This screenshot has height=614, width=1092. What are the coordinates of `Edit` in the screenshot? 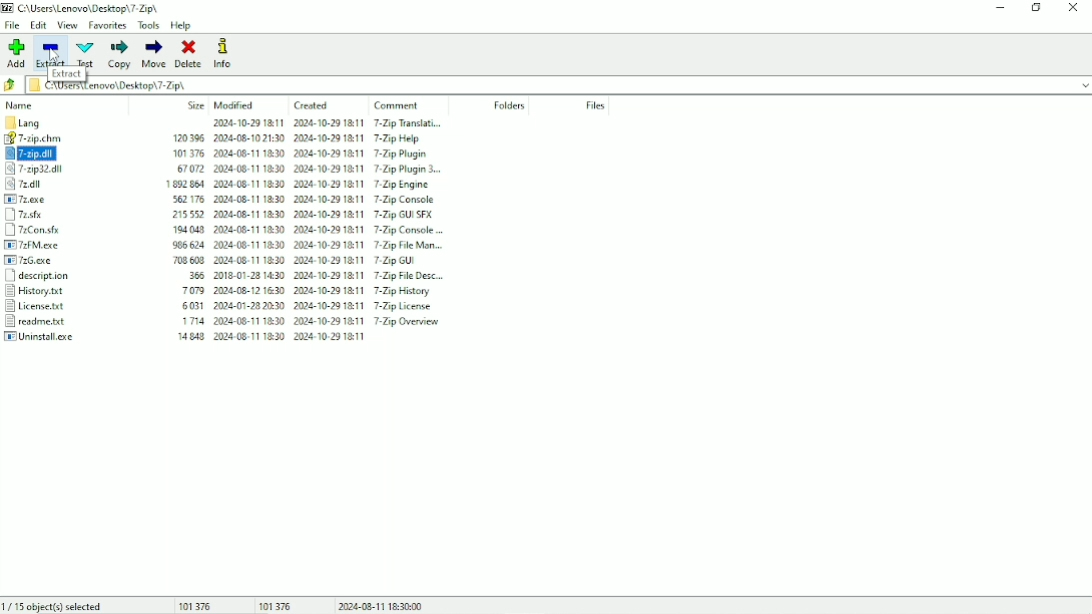 It's located at (38, 26).